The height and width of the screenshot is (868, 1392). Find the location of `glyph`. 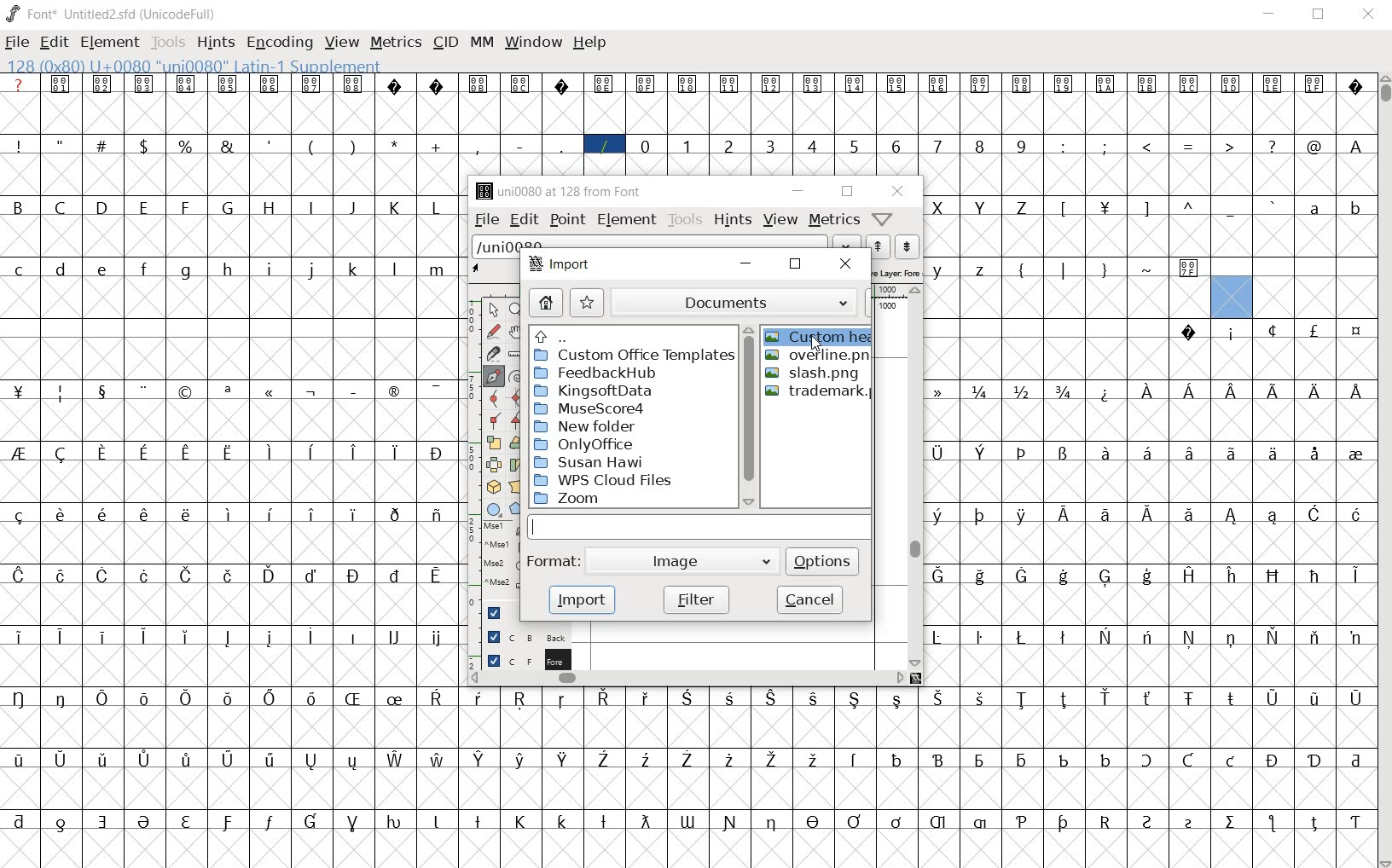

glyph is located at coordinates (937, 637).